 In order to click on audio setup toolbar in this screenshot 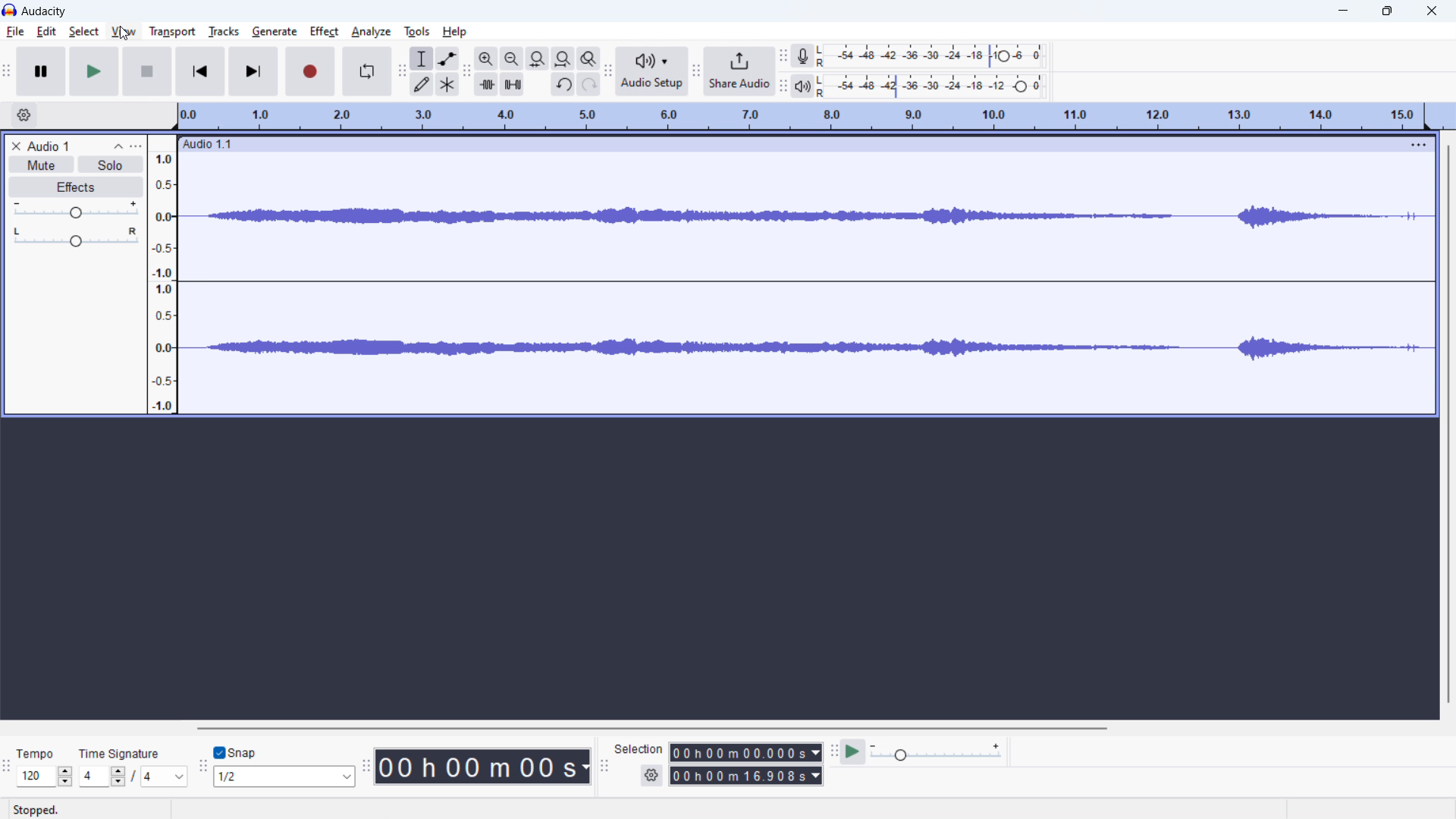, I will do `click(609, 71)`.